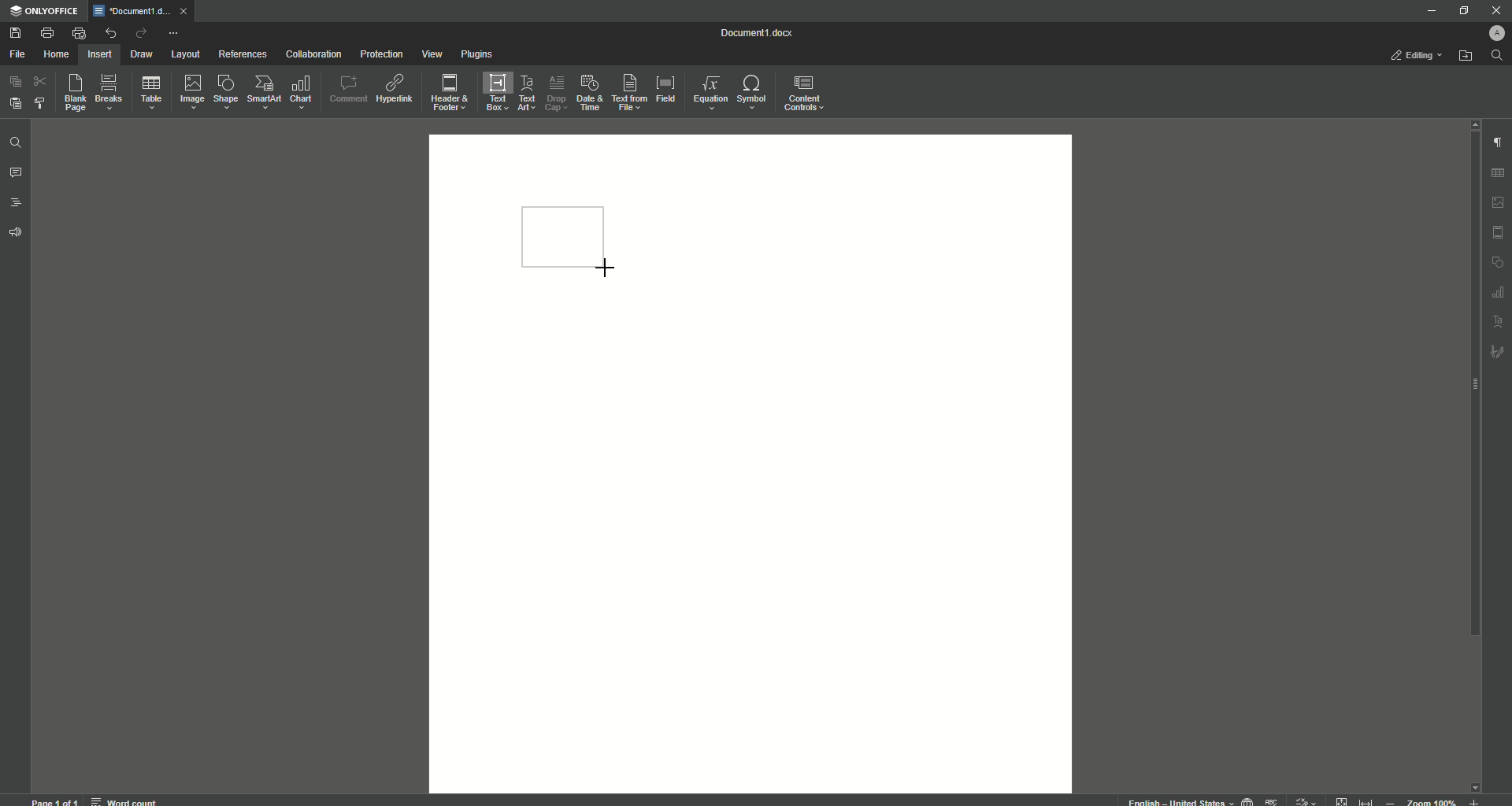  What do you see at coordinates (15, 144) in the screenshot?
I see `Find` at bounding box center [15, 144].